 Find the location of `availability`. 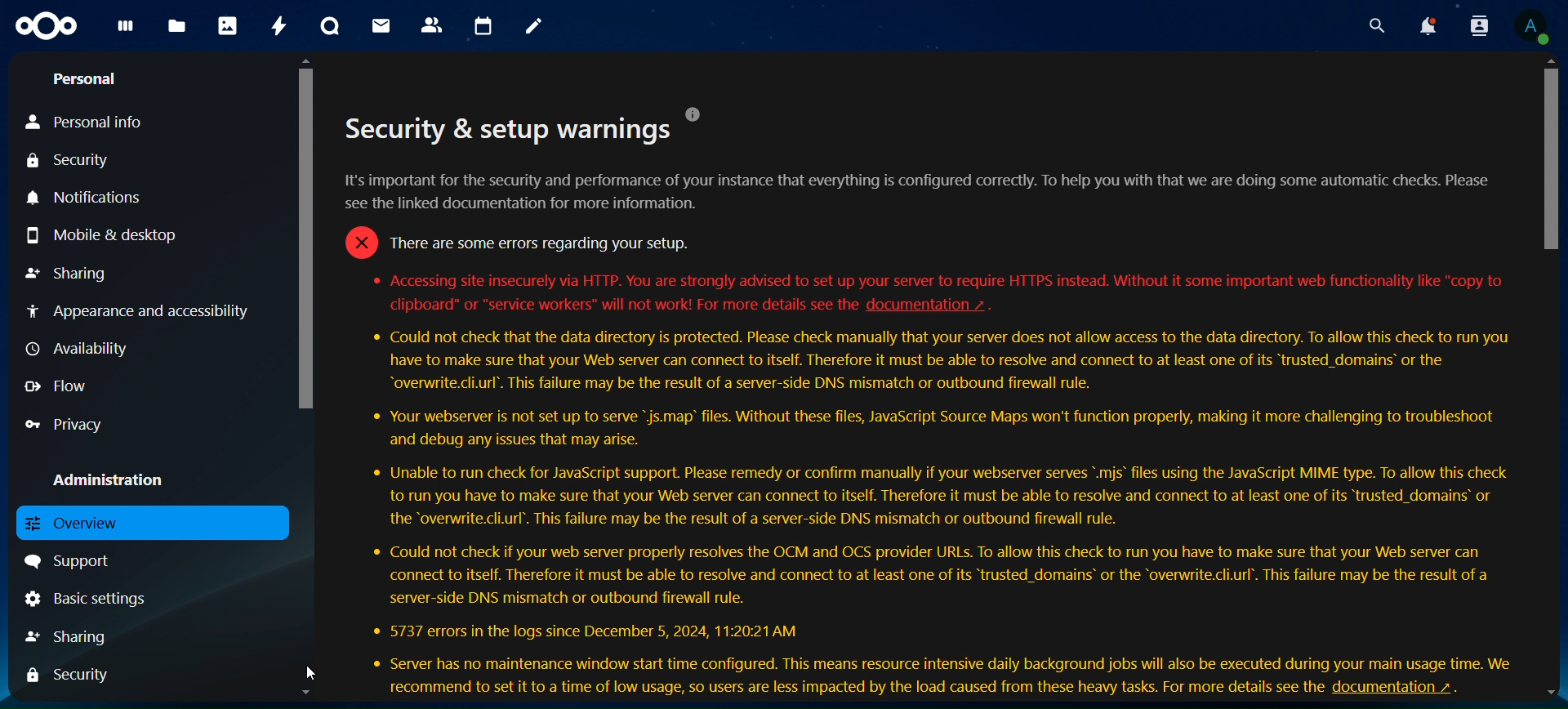

availability is located at coordinates (77, 350).